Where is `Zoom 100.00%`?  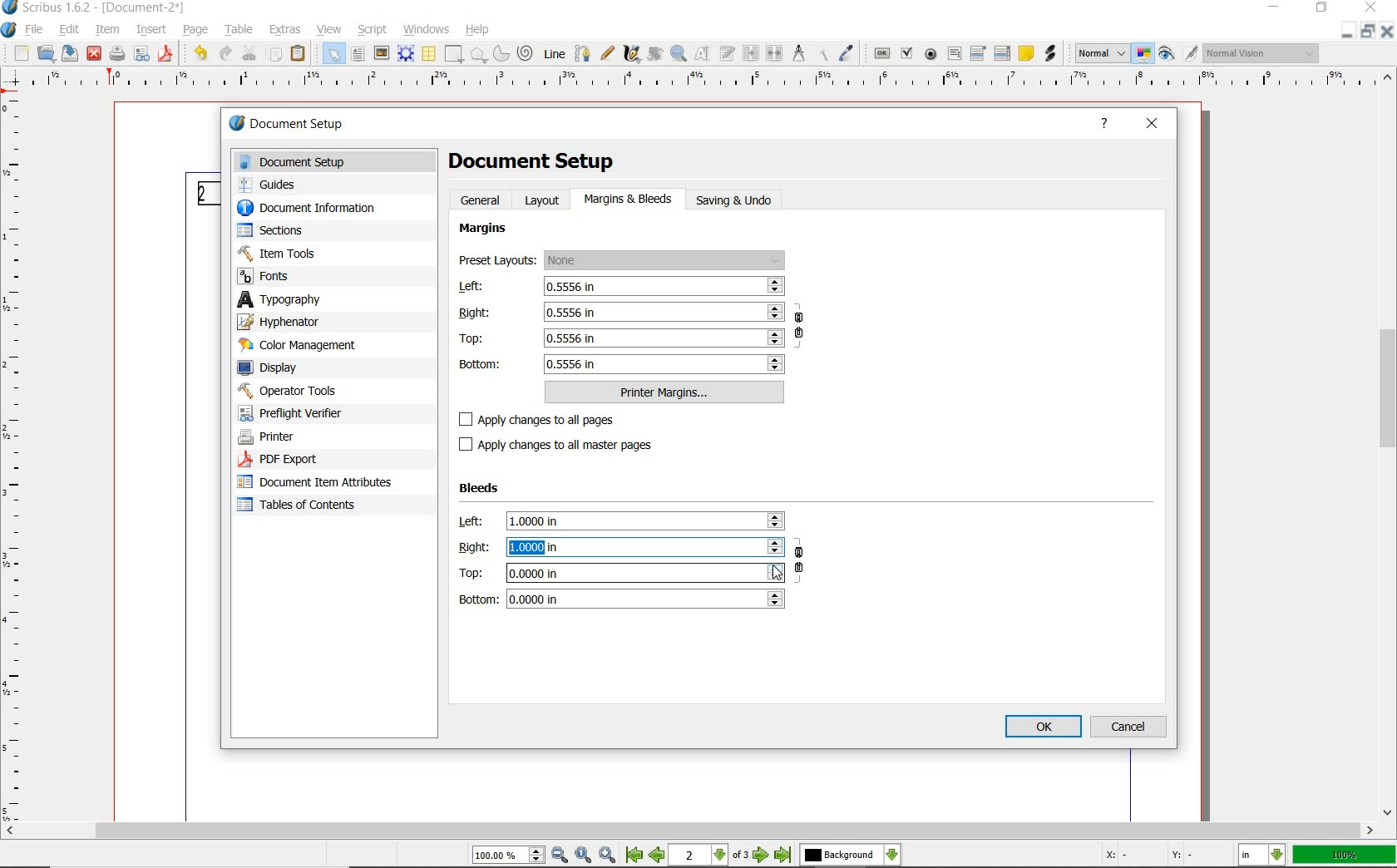
Zoom 100.00% is located at coordinates (506, 857).